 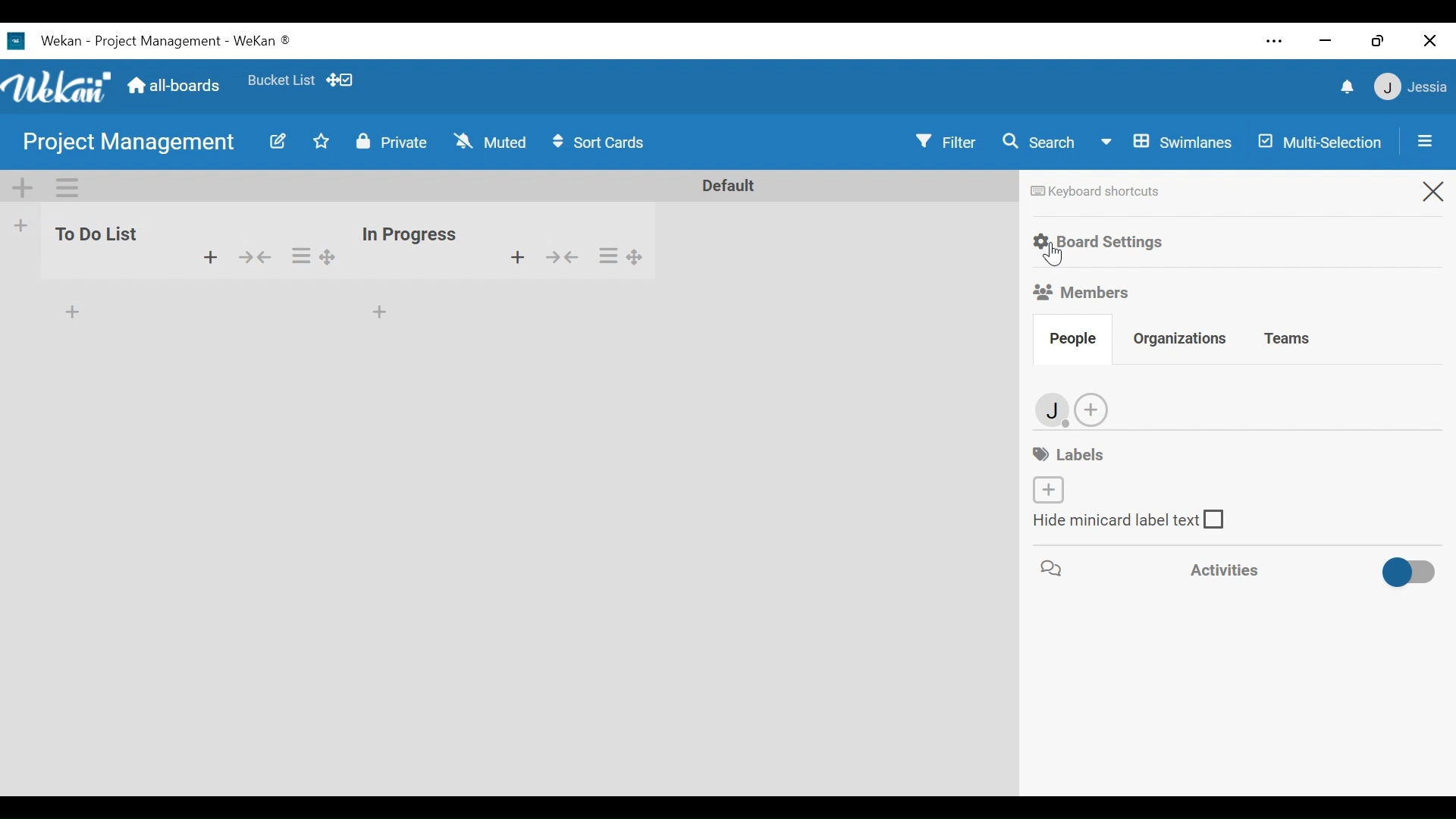 What do you see at coordinates (277, 143) in the screenshot?
I see `Edit` at bounding box center [277, 143].